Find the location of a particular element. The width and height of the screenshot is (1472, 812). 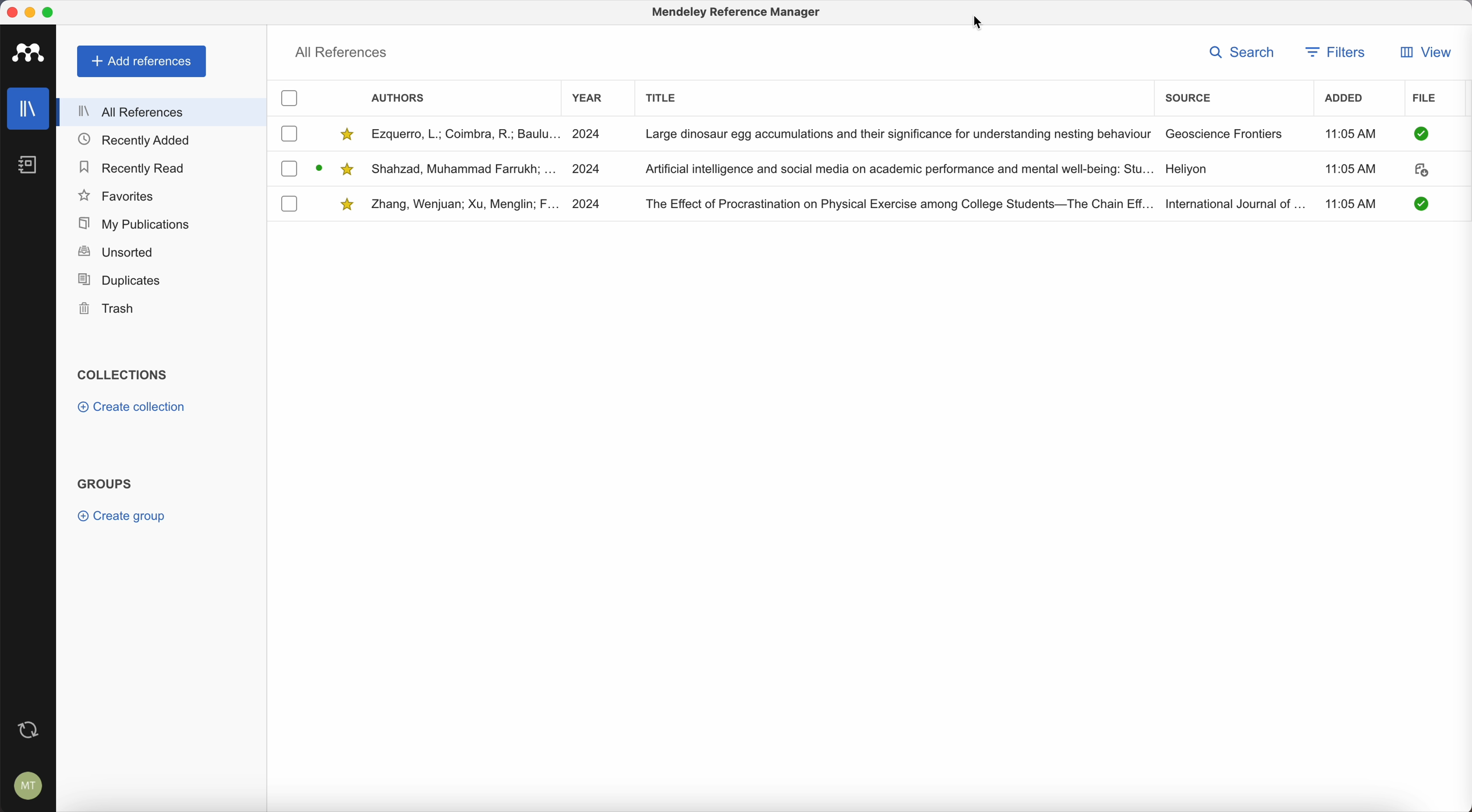

duplicates is located at coordinates (119, 280).